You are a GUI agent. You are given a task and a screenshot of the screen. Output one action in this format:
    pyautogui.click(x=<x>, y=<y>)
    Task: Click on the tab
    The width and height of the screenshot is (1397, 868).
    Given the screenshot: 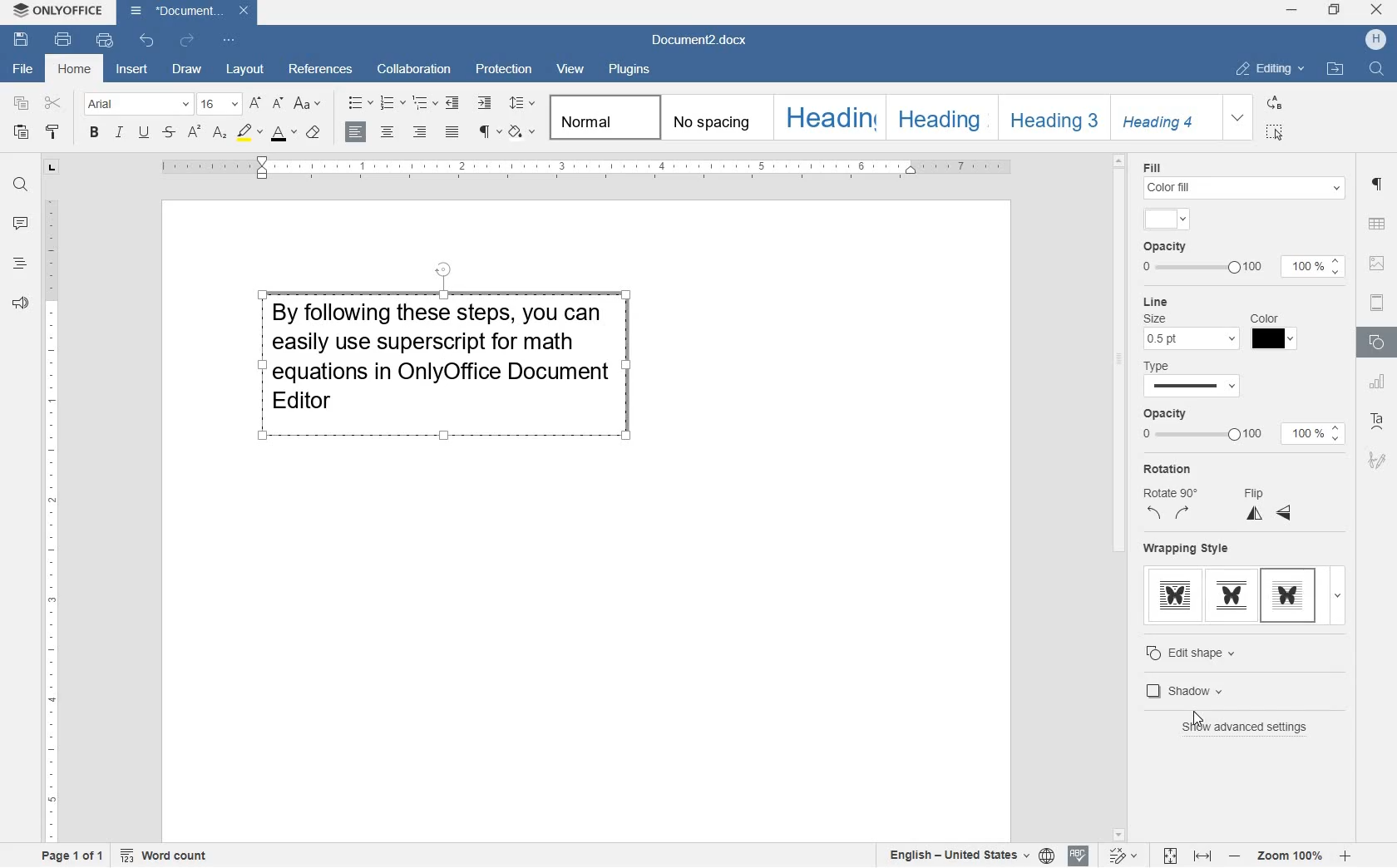 What is the action you would take?
    pyautogui.click(x=51, y=169)
    